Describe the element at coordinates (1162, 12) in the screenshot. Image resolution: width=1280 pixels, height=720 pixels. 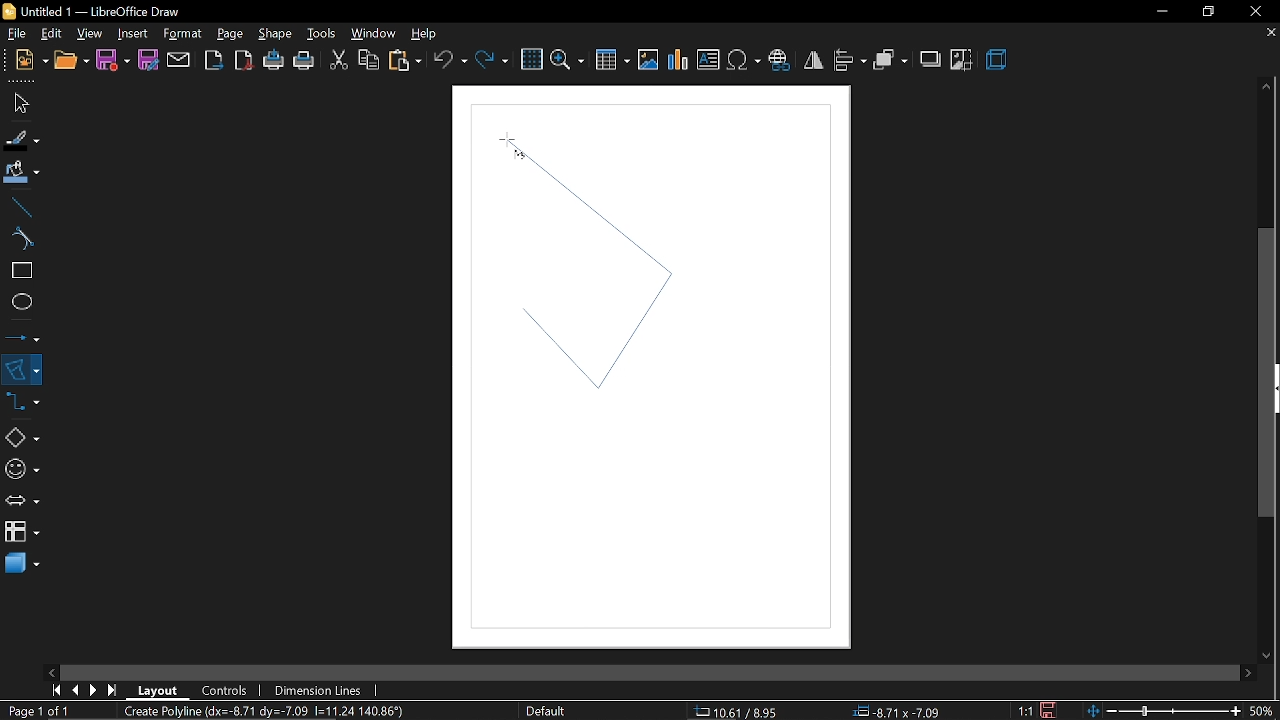
I see `minimize` at that location.